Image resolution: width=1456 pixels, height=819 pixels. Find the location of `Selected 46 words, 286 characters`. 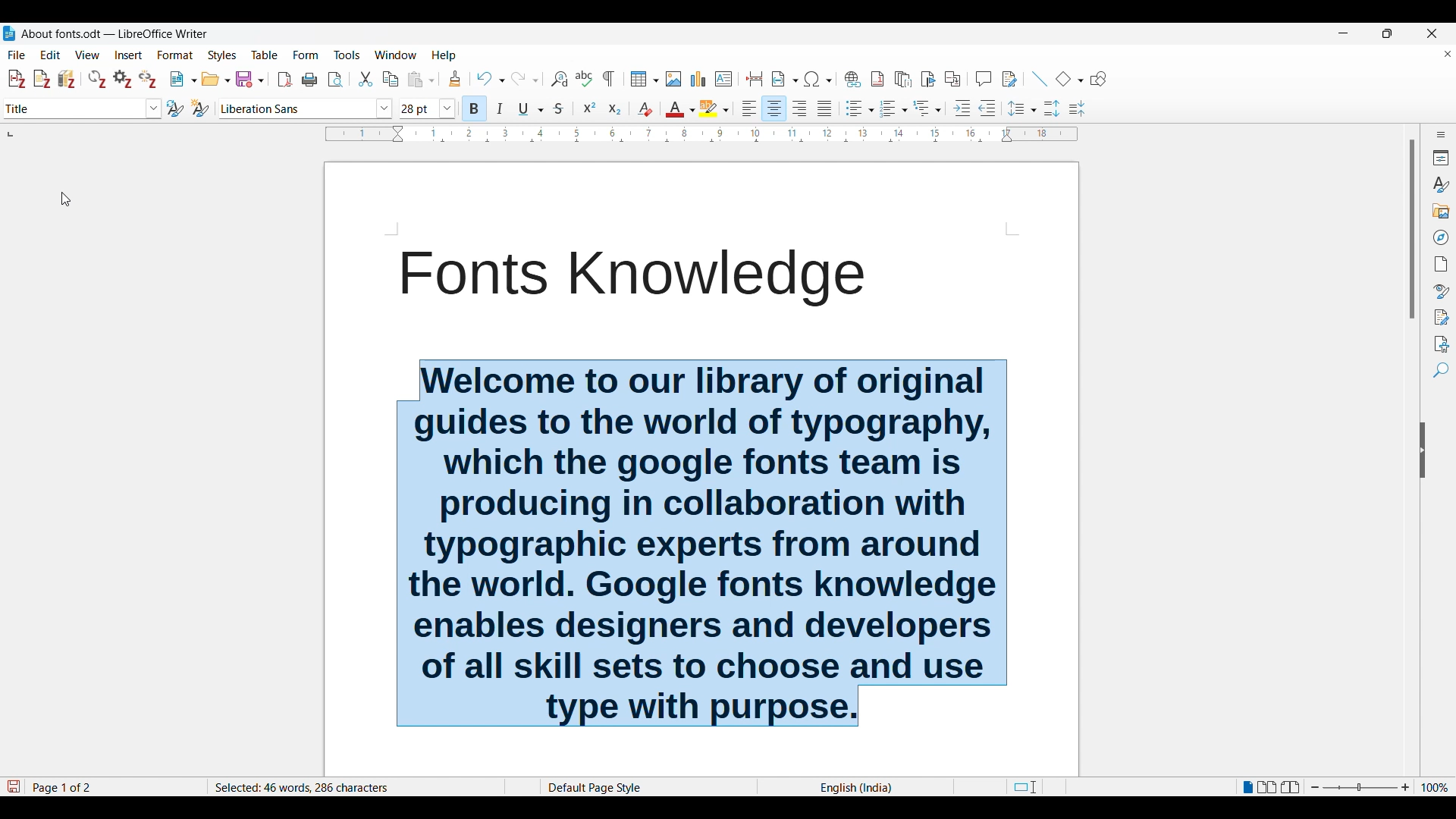

Selected 46 words, 286 characters is located at coordinates (305, 787).